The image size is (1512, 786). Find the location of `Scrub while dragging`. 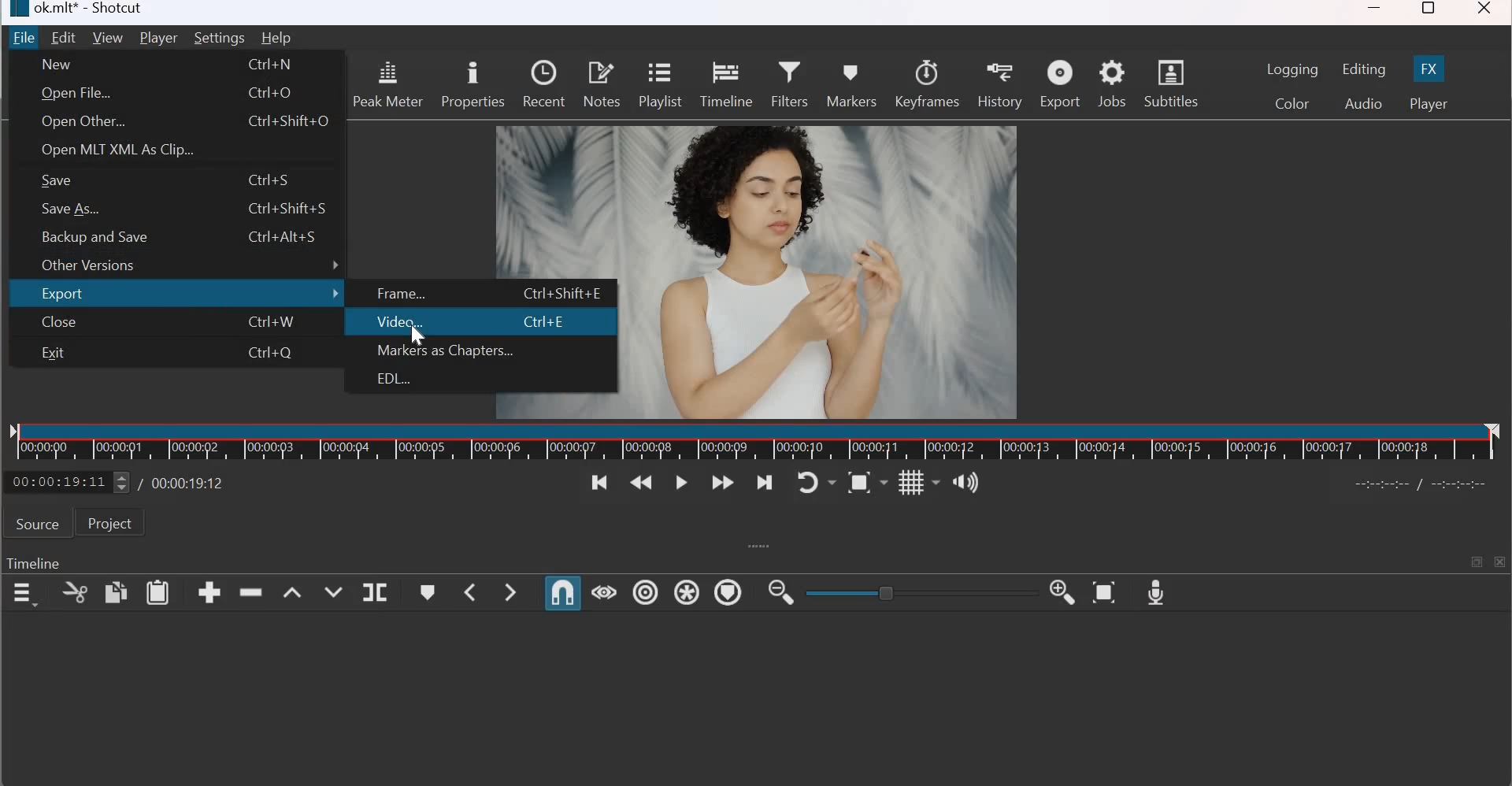

Scrub while dragging is located at coordinates (605, 591).